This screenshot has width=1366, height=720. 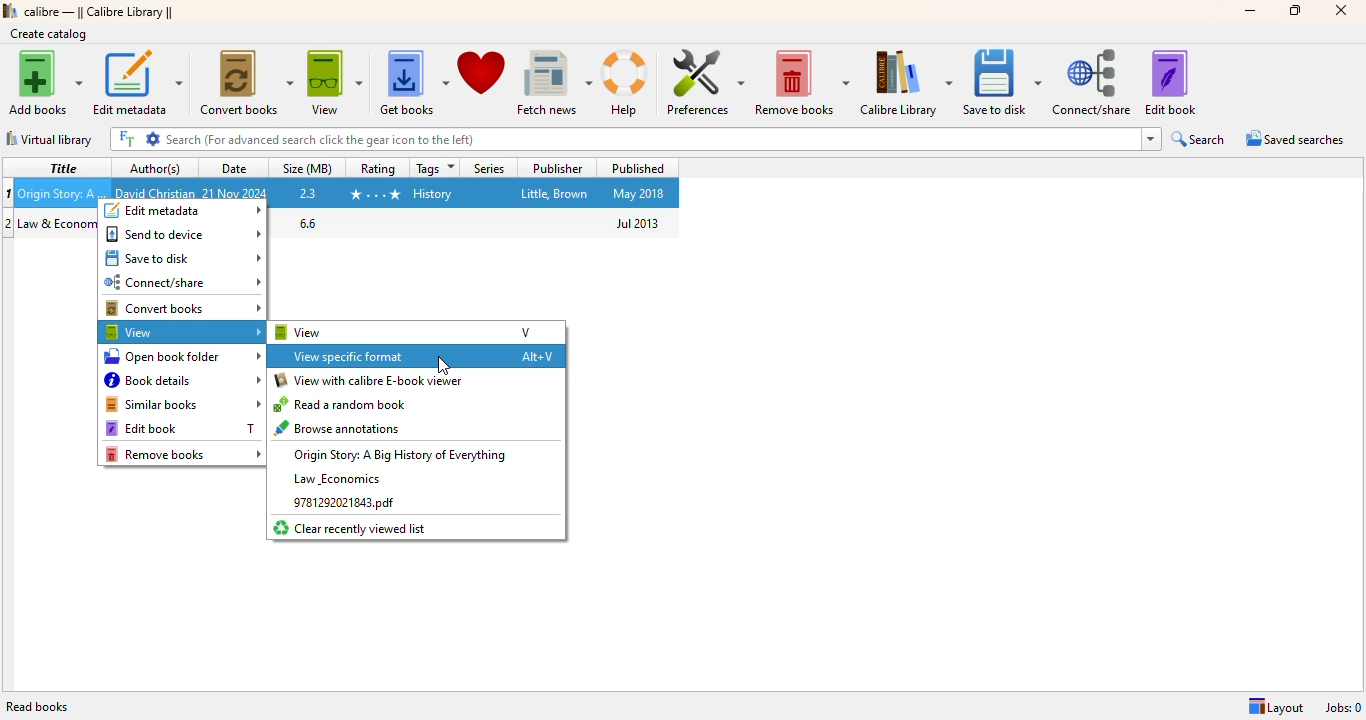 I want to click on date, so click(x=236, y=193).